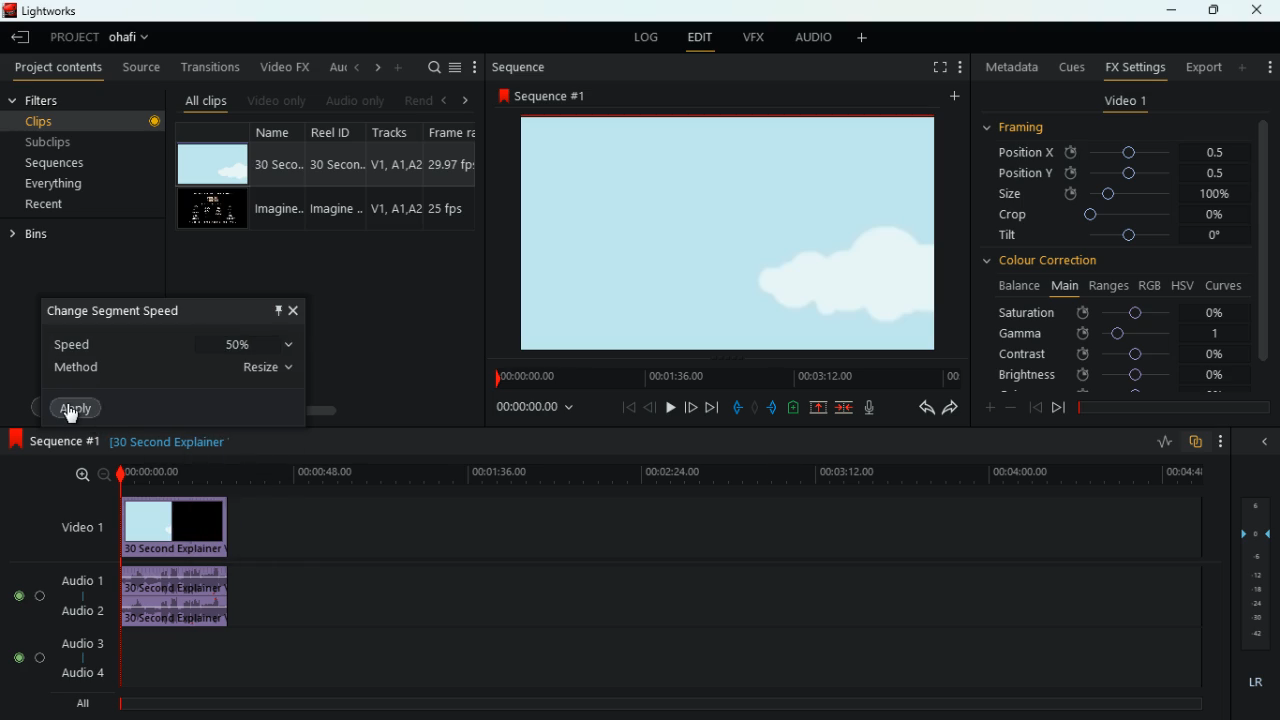 The image size is (1280, 720). I want to click on plus, so click(985, 406).